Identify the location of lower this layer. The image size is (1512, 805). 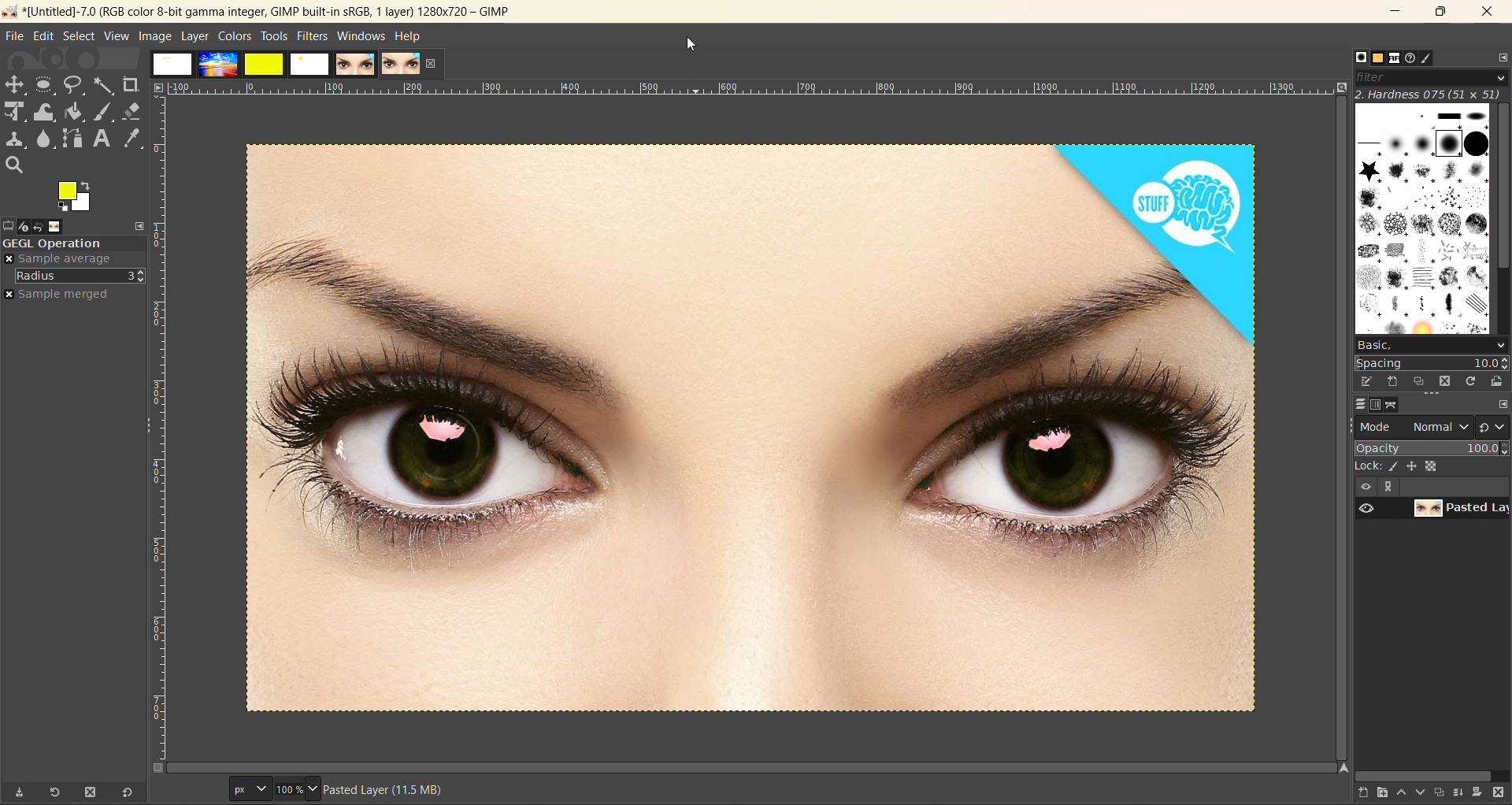
(1417, 796).